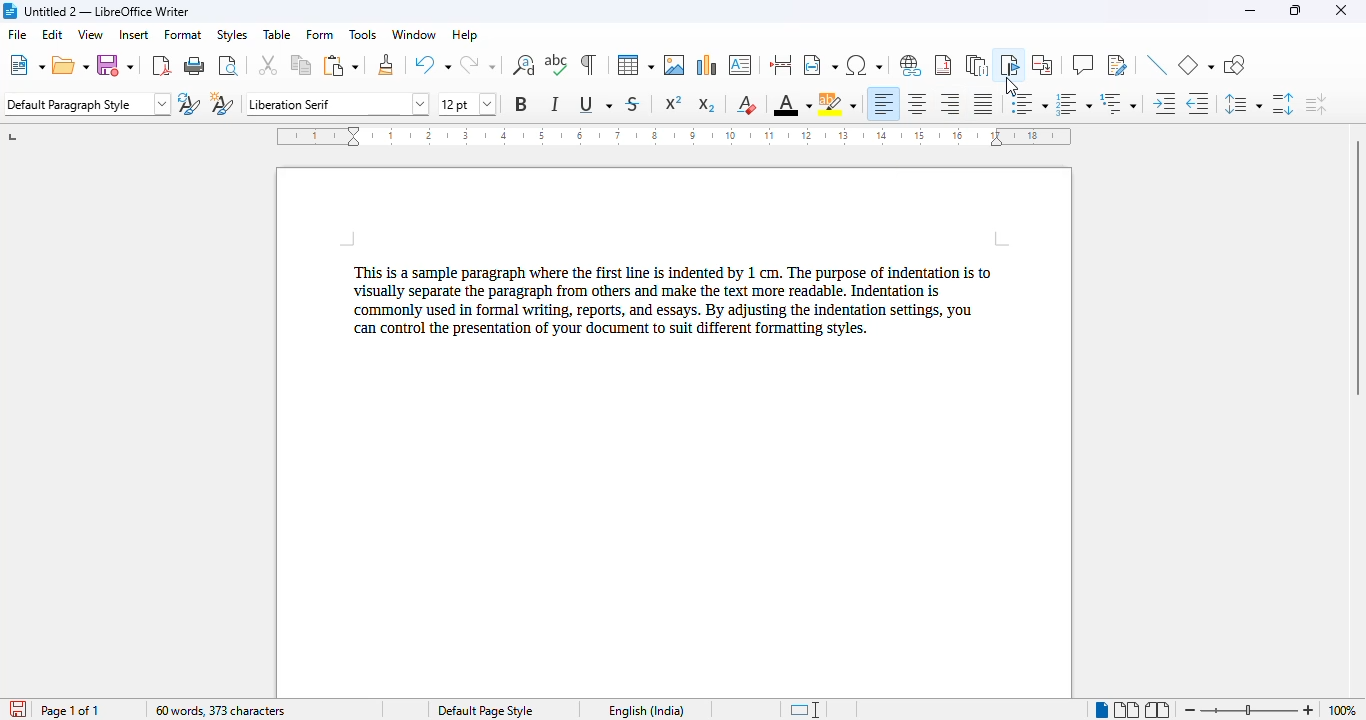  What do you see at coordinates (229, 65) in the screenshot?
I see `toggle print preview` at bounding box center [229, 65].